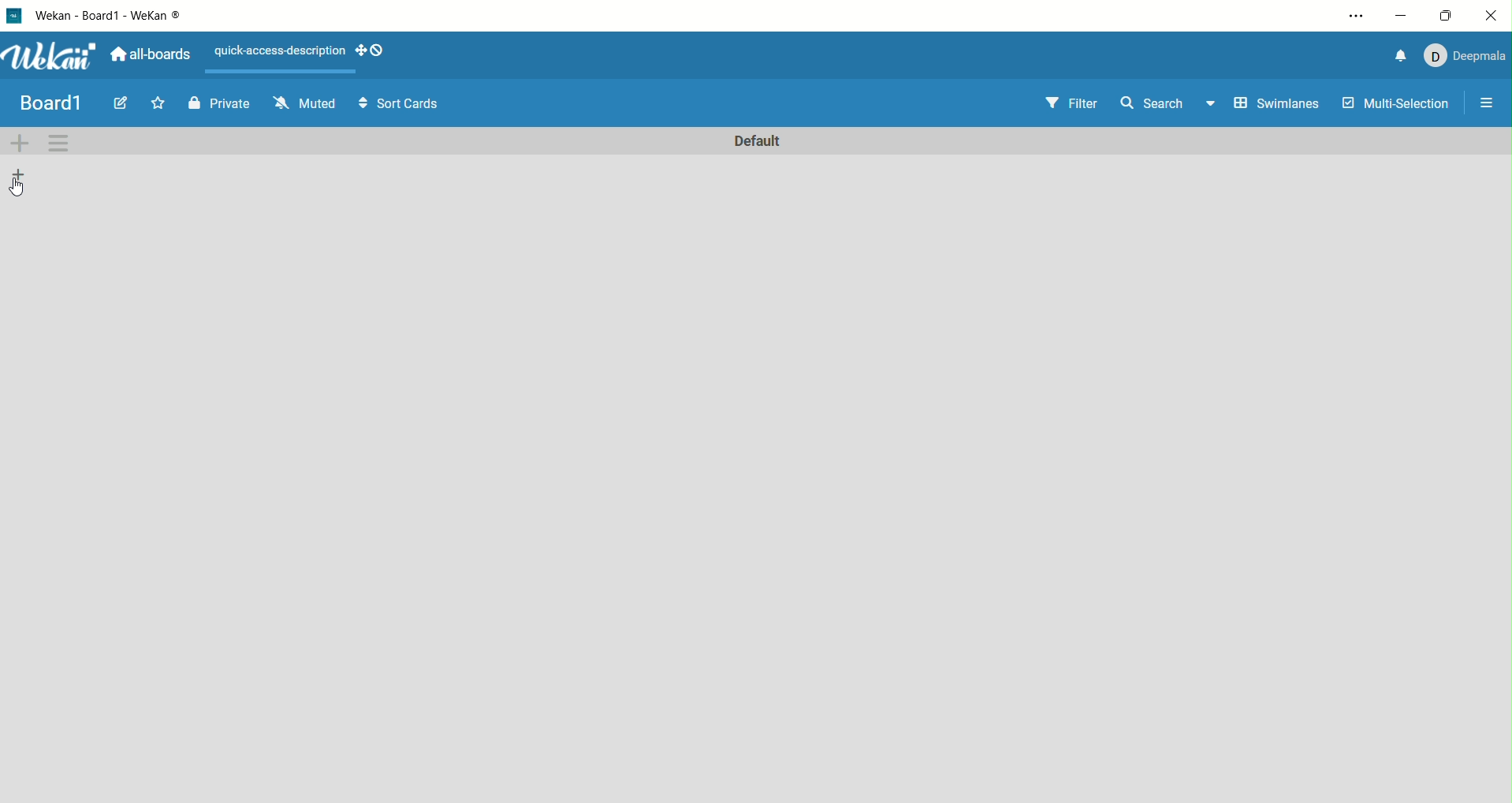  What do you see at coordinates (59, 144) in the screenshot?
I see `swimlane actions` at bounding box center [59, 144].